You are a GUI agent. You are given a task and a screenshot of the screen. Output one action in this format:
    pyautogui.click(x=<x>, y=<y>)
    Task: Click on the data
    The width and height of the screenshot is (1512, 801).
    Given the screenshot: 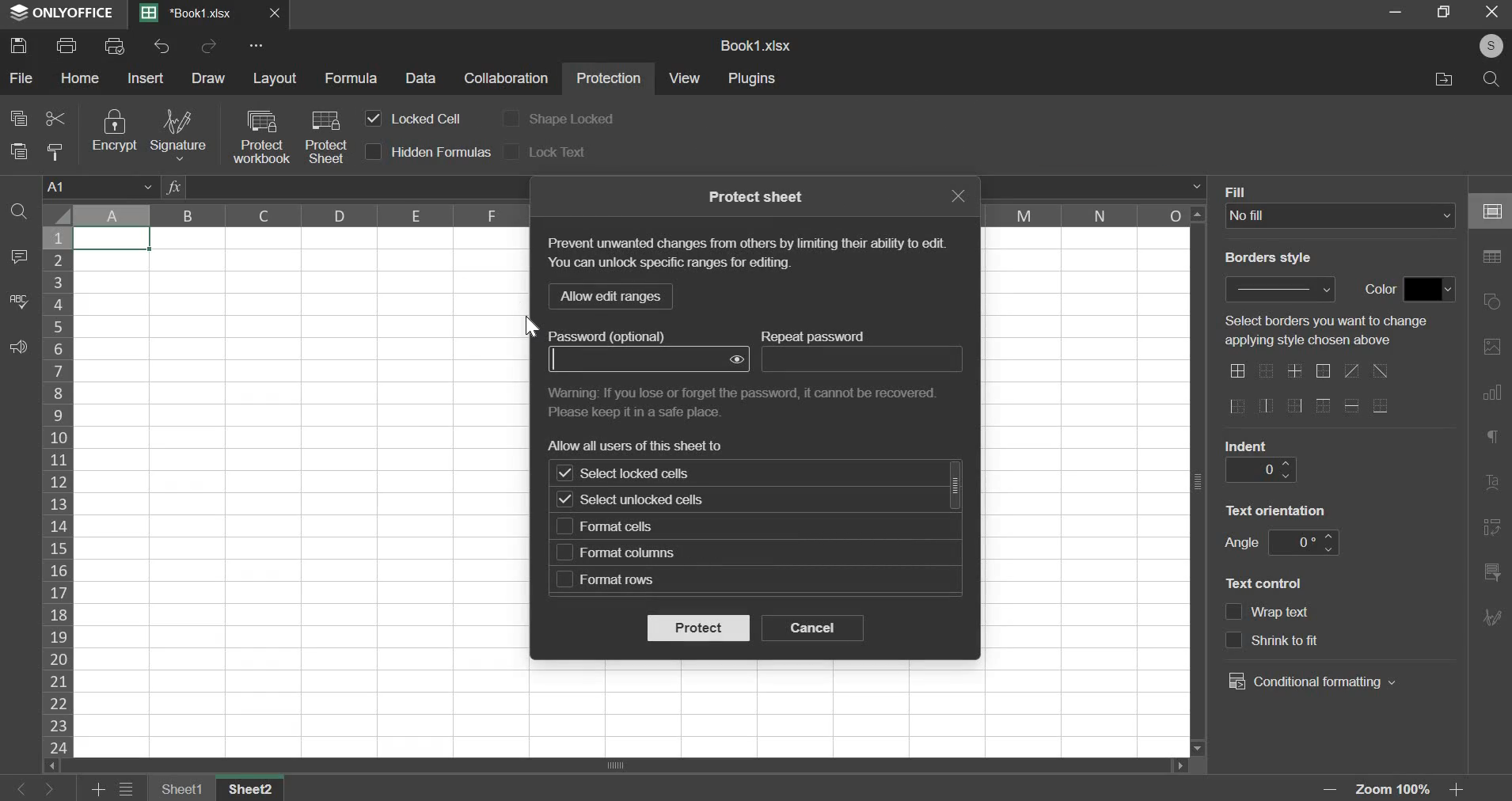 What is the action you would take?
    pyautogui.click(x=423, y=78)
    